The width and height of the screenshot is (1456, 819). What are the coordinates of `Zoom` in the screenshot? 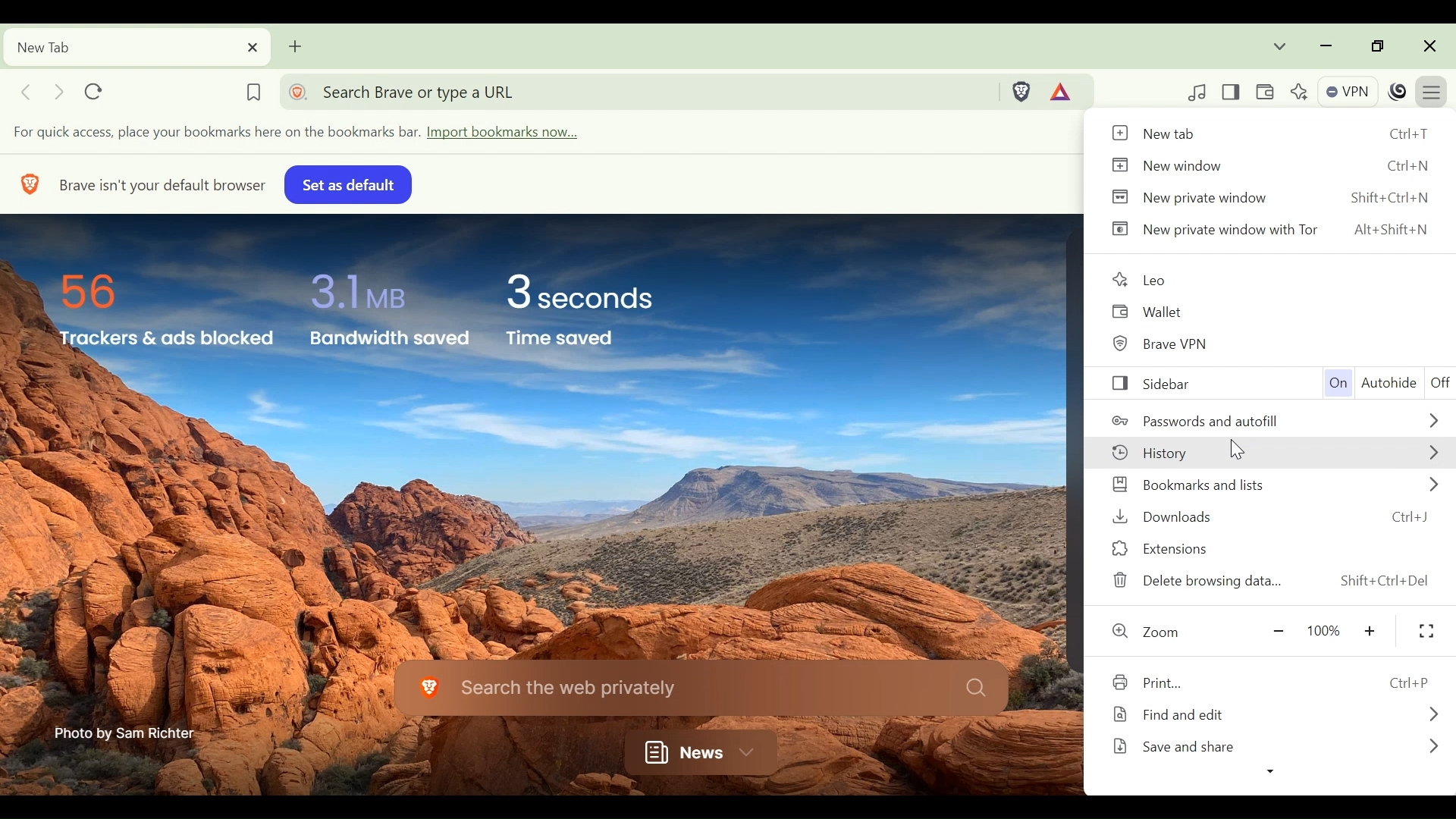 It's located at (1155, 633).